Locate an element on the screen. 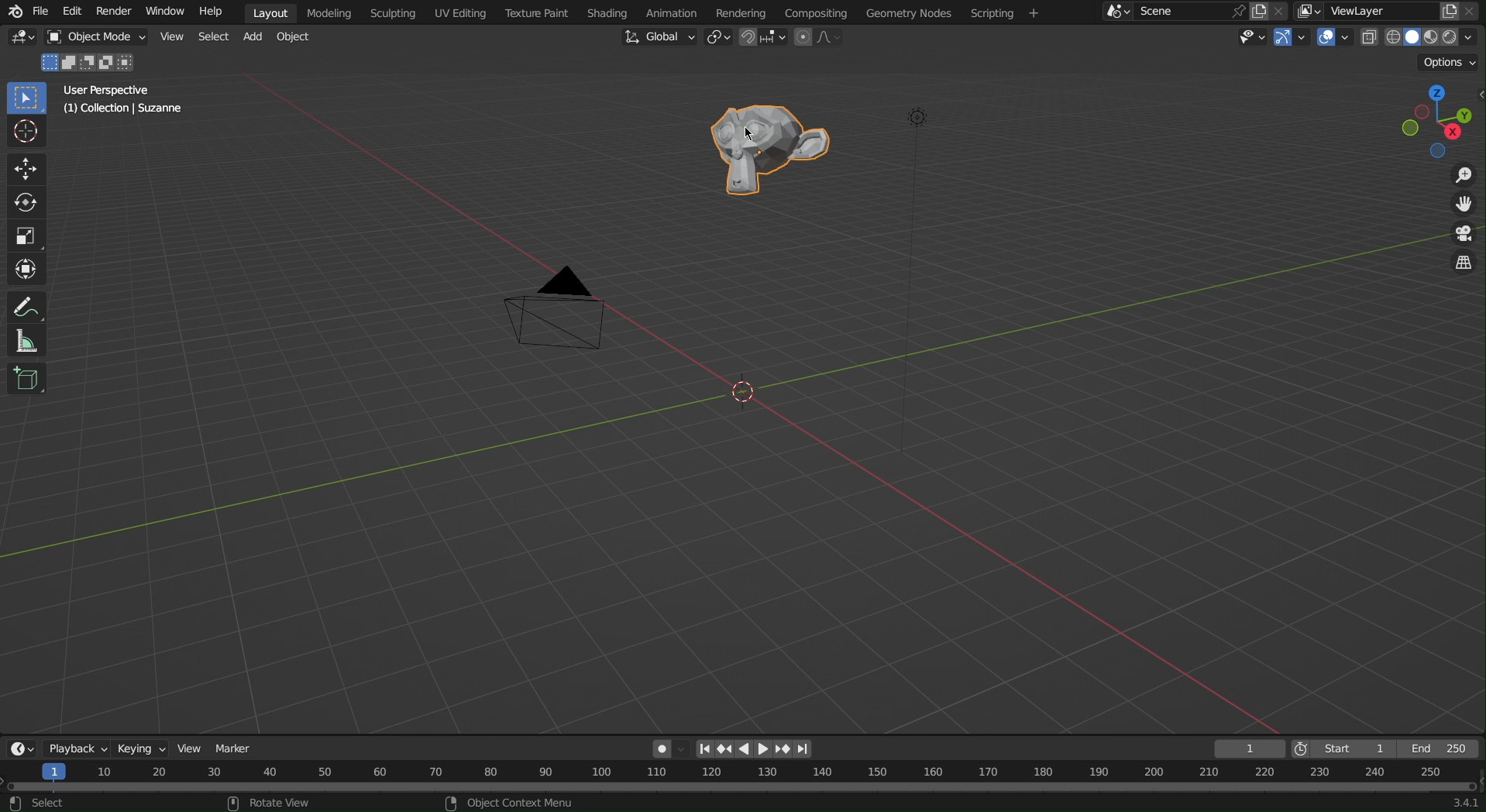 This screenshot has height=812, width=1486. last is located at coordinates (809, 748).